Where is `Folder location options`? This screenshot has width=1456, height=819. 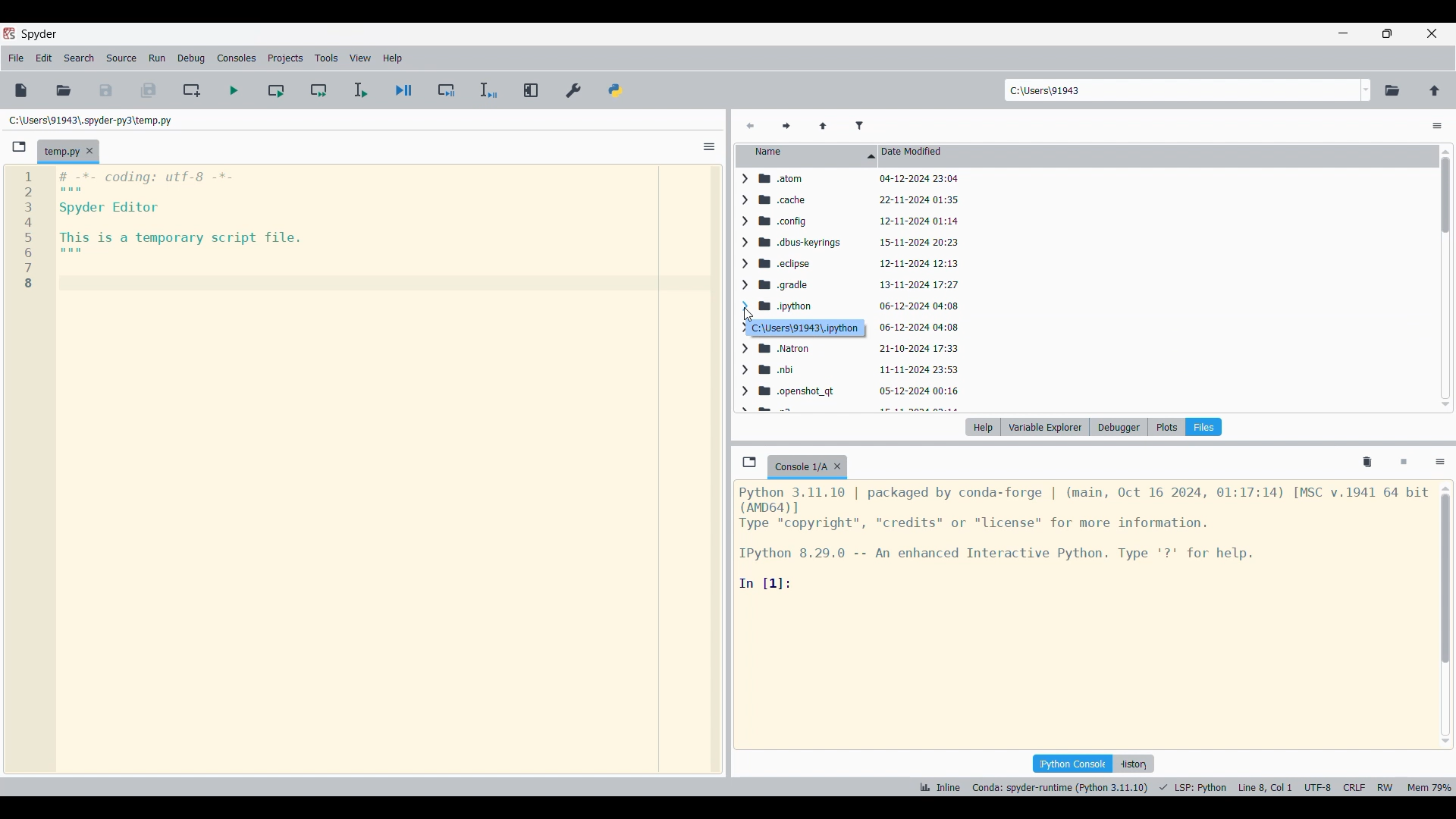 Folder location options is located at coordinates (1366, 90).